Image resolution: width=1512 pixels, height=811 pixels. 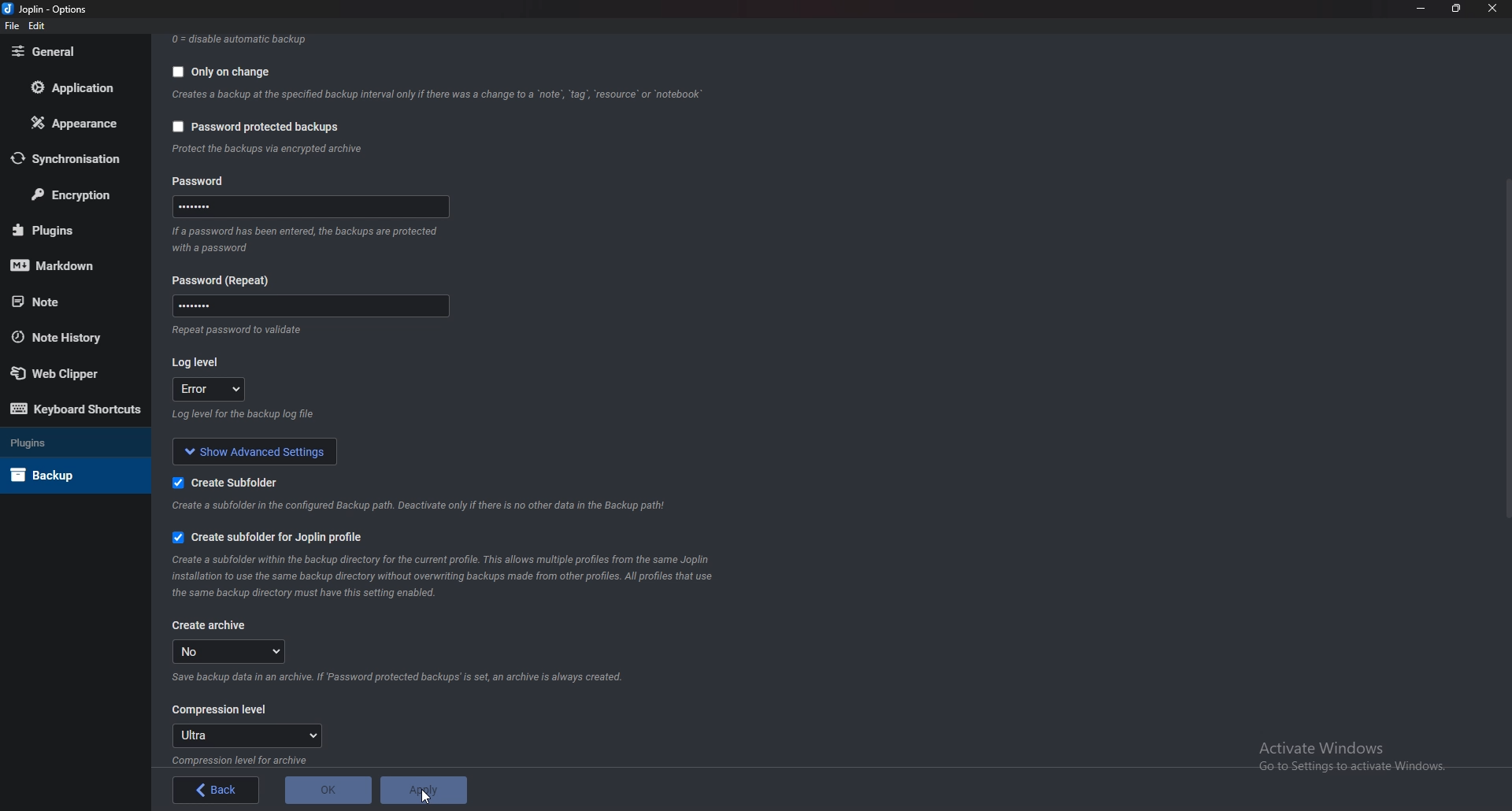 What do you see at coordinates (424, 505) in the screenshot?
I see `info on subfolder` at bounding box center [424, 505].